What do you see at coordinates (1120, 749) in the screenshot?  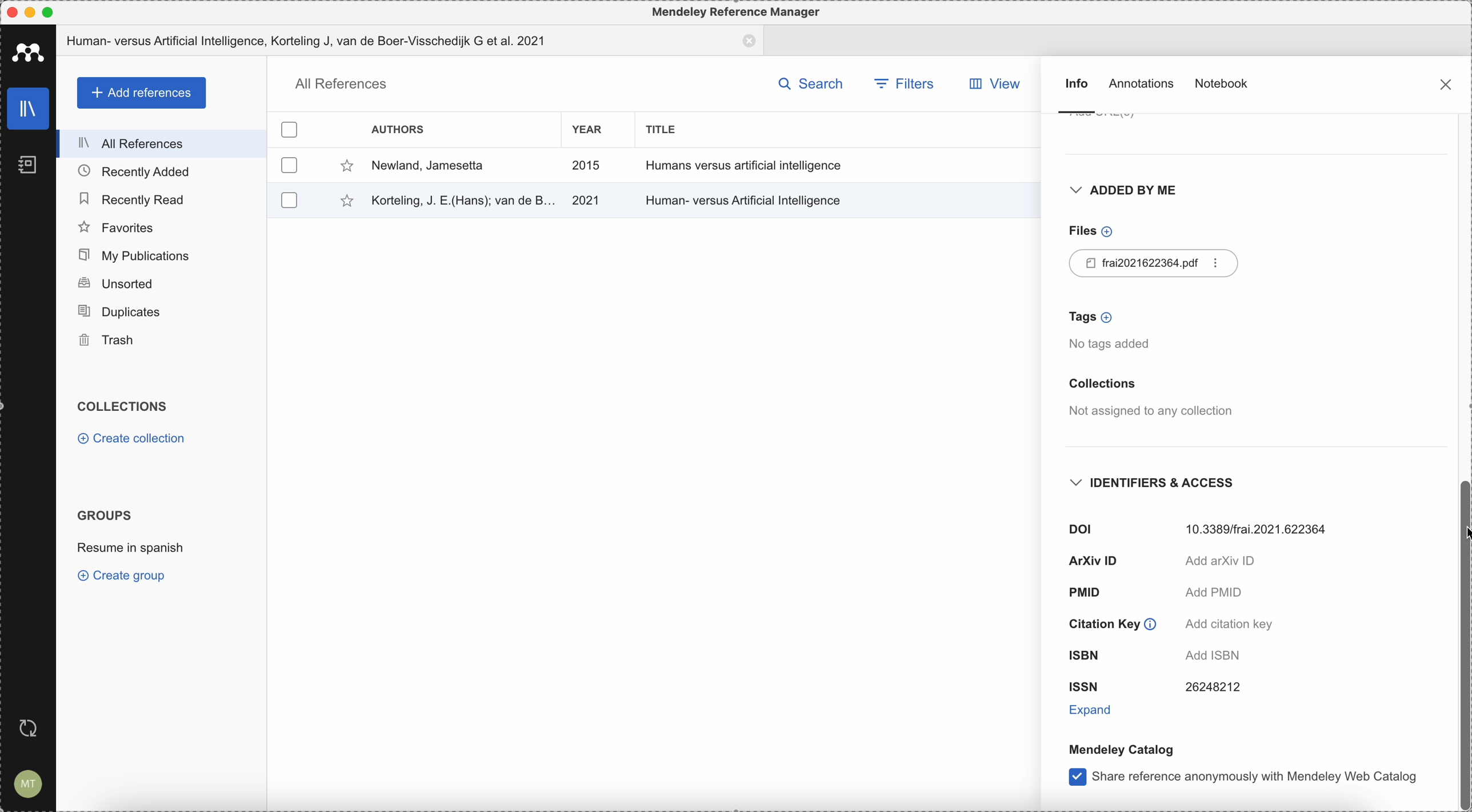 I see `mendeley catalog` at bounding box center [1120, 749].